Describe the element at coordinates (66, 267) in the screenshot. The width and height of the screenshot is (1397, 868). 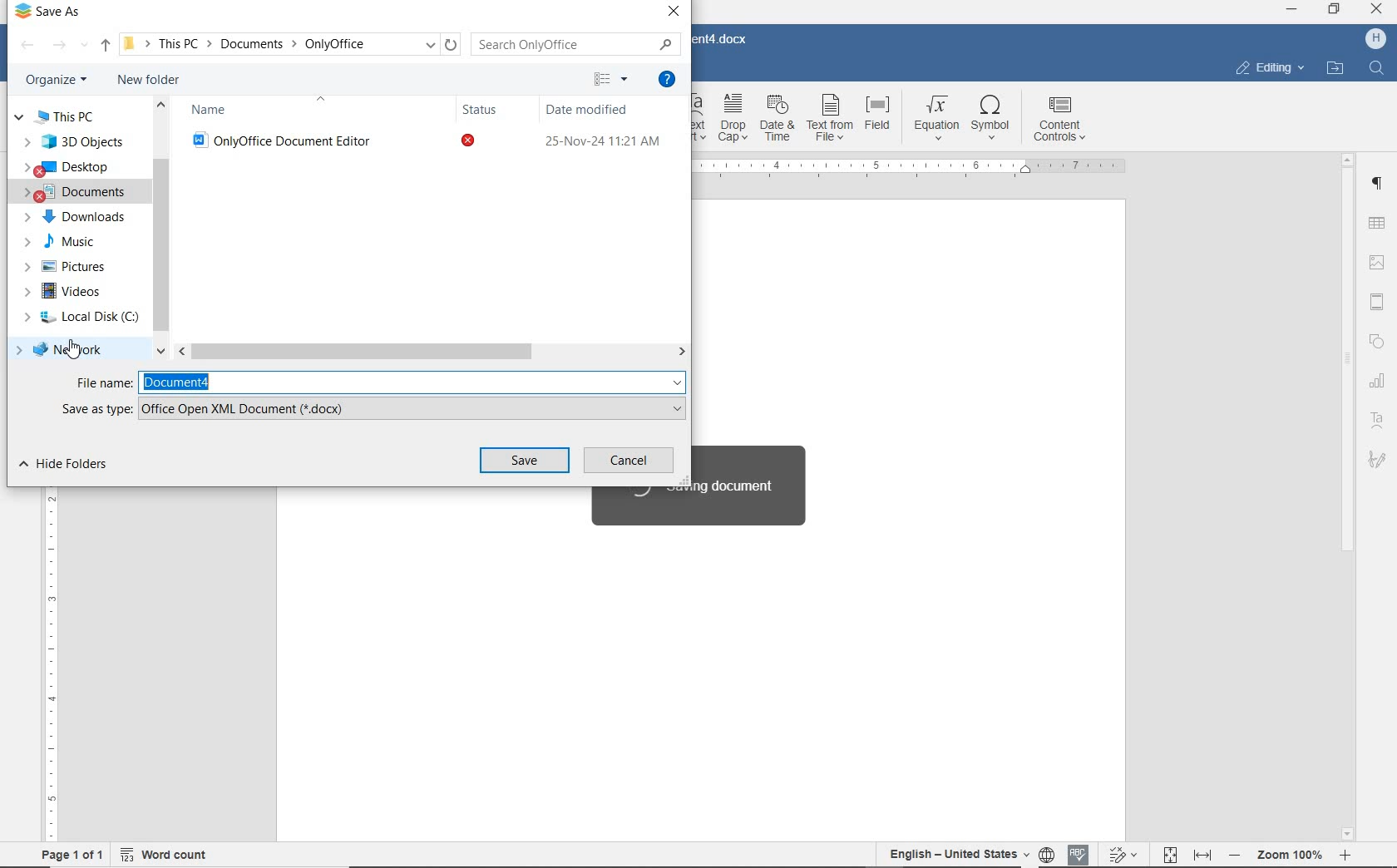
I see `PICTURES` at that location.